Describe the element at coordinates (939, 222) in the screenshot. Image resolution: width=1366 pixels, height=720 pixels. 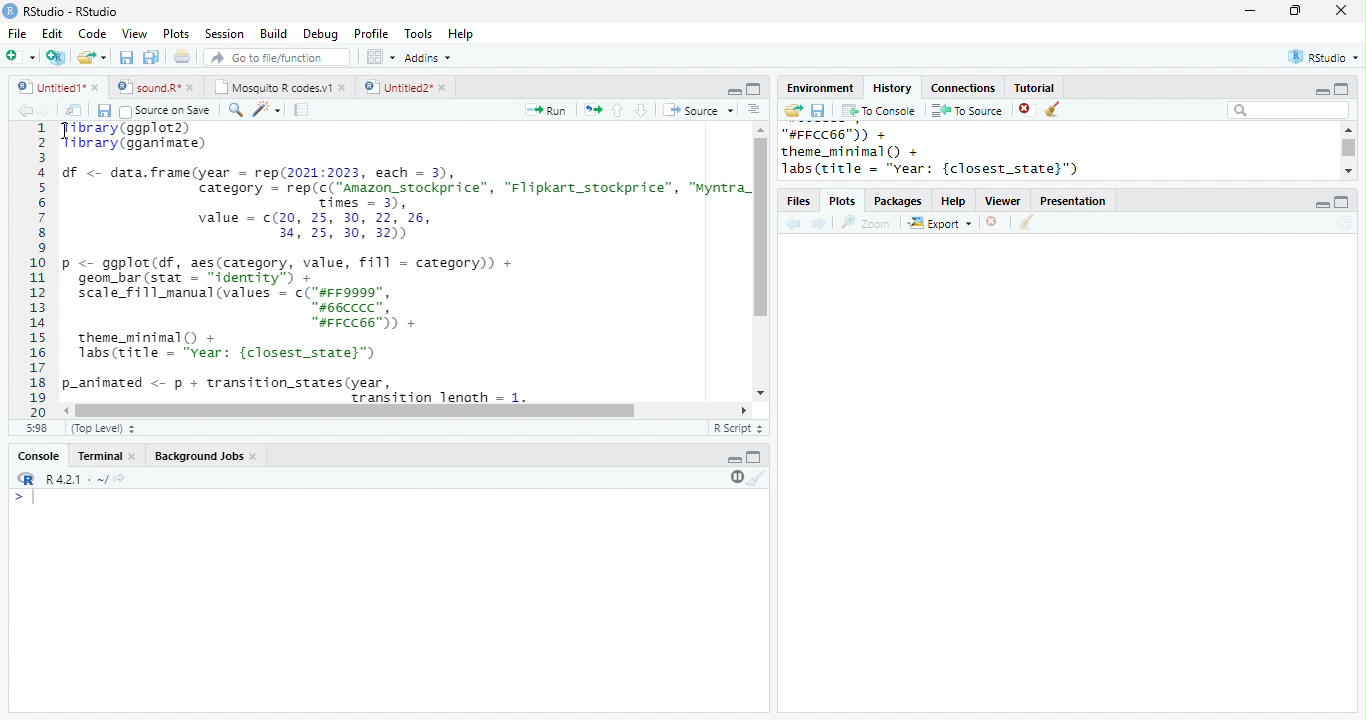
I see `Export` at that location.